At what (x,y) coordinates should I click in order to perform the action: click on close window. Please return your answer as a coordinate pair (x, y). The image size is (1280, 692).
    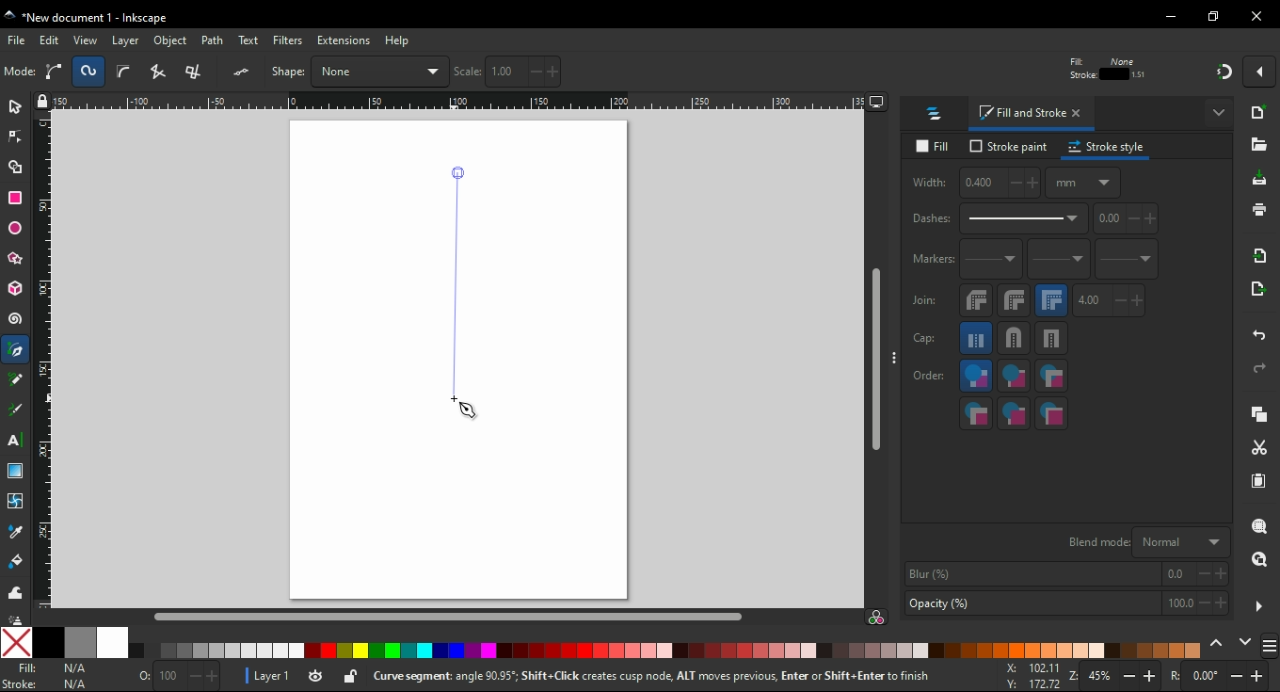
    Looking at the image, I should click on (1257, 16).